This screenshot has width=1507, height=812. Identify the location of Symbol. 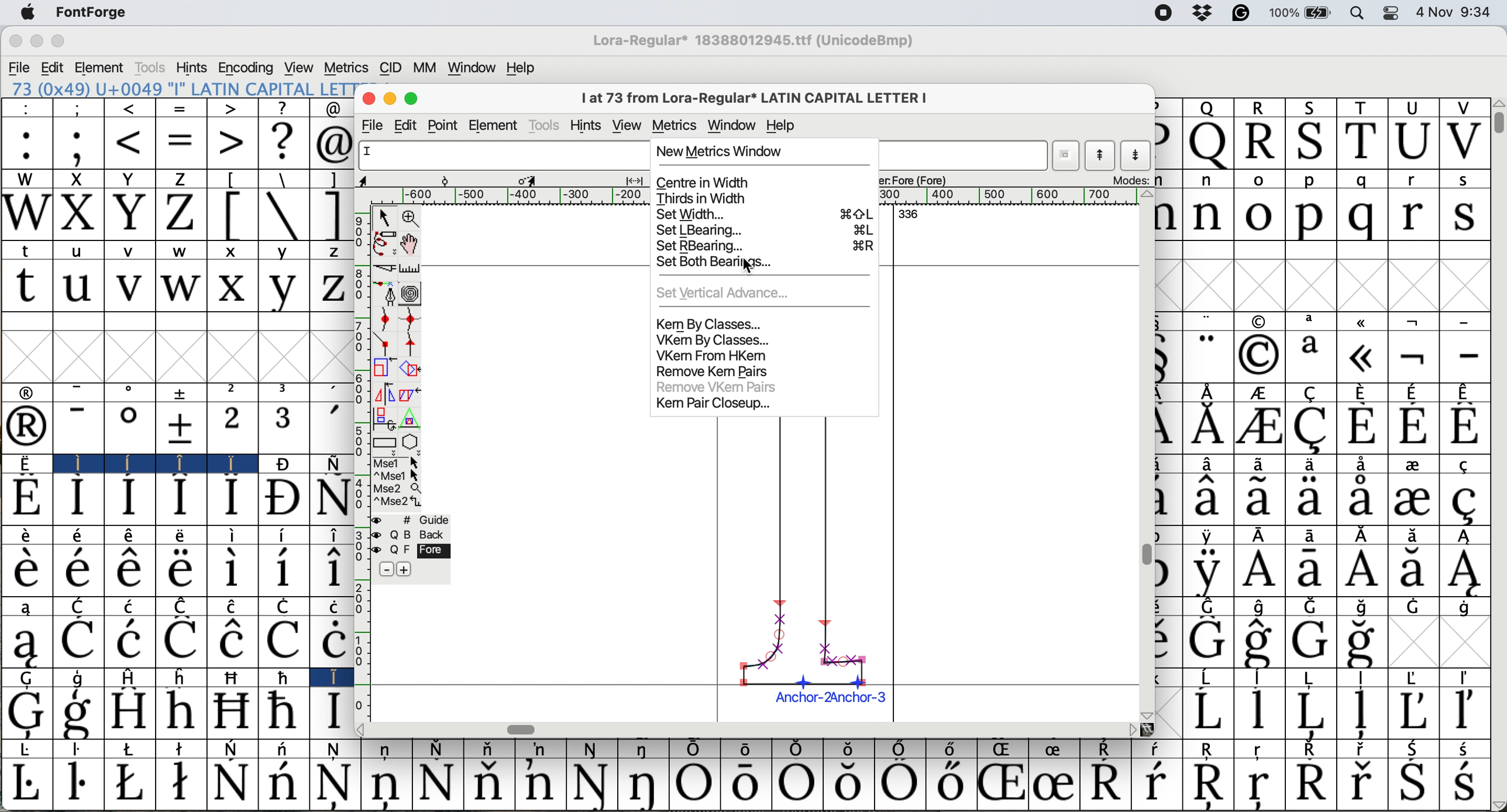
(283, 784).